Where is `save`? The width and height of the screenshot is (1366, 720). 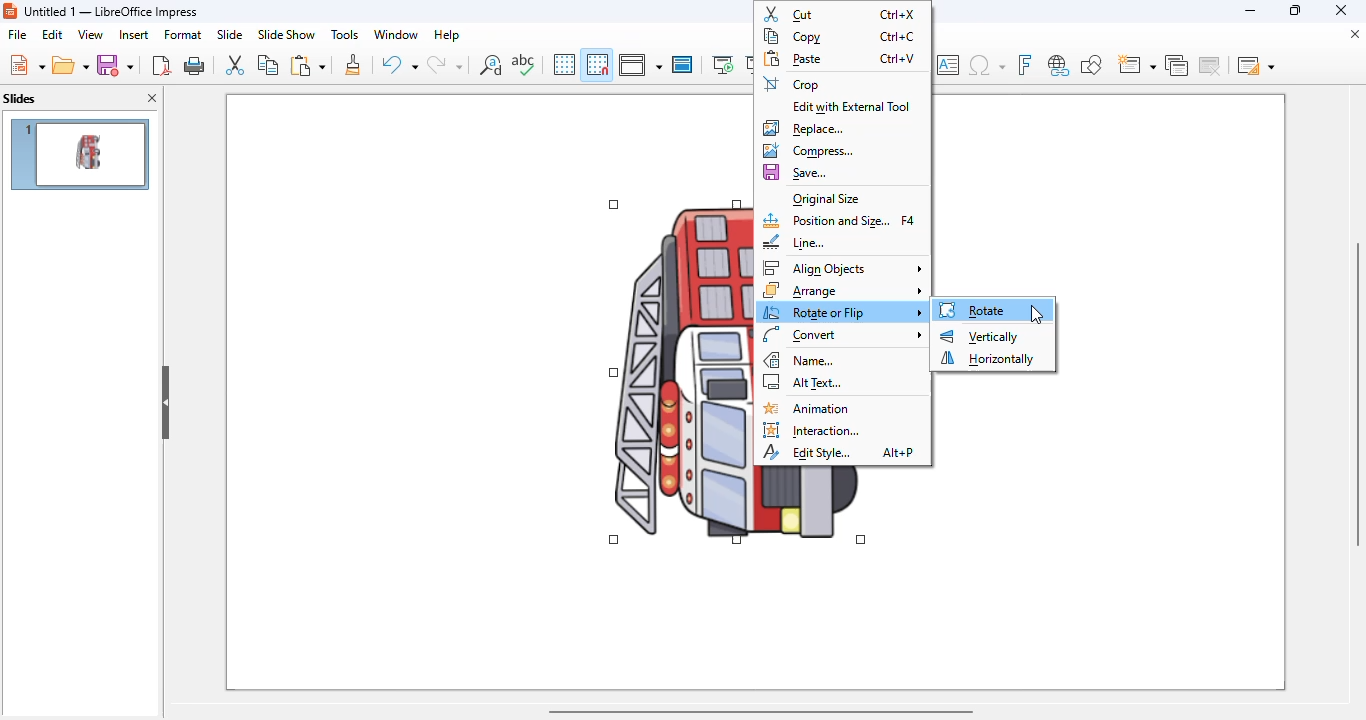 save is located at coordinates (116, 65).